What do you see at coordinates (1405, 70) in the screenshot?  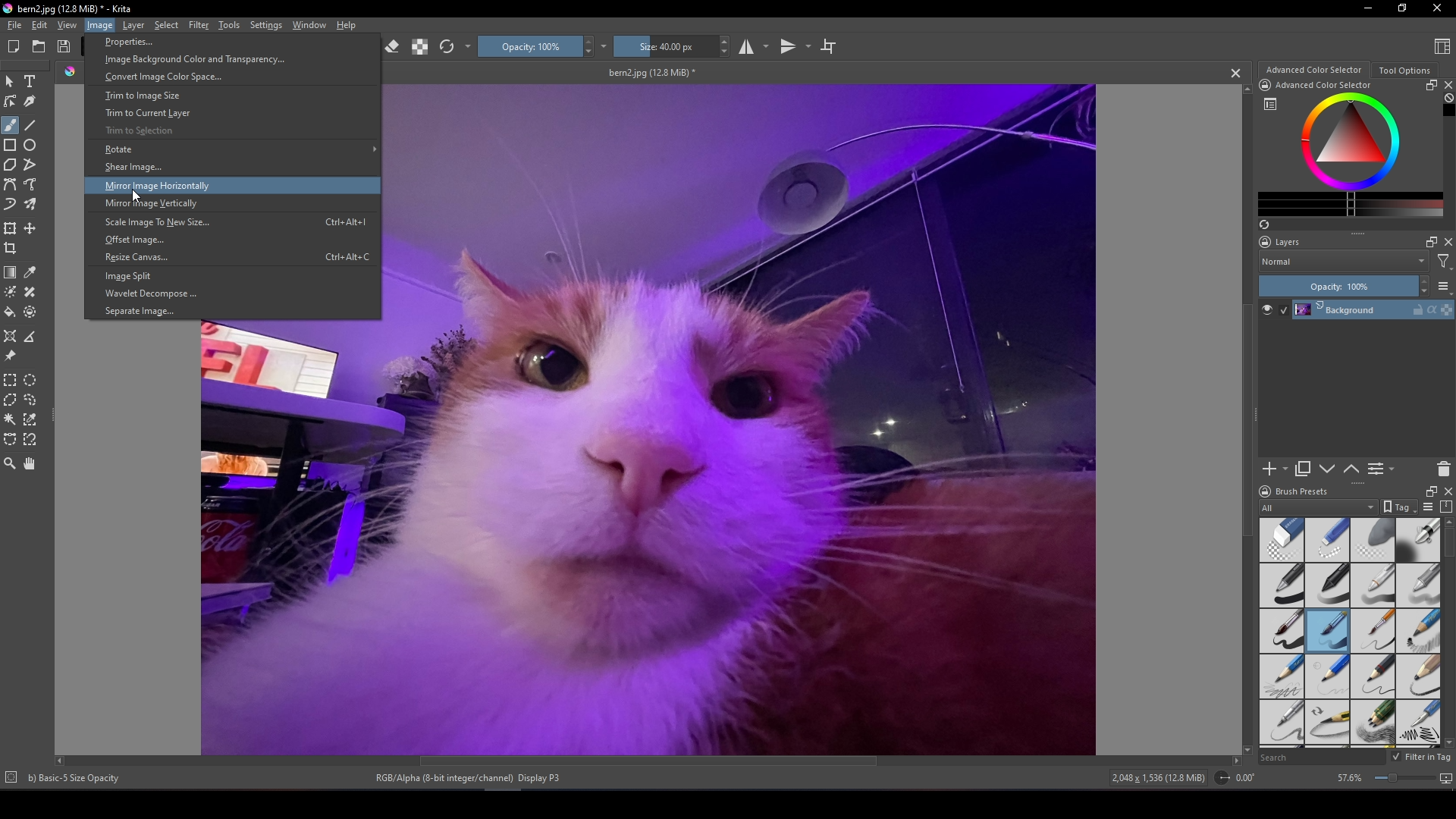 I see `Tool options` at bounding box center [1405, 70].